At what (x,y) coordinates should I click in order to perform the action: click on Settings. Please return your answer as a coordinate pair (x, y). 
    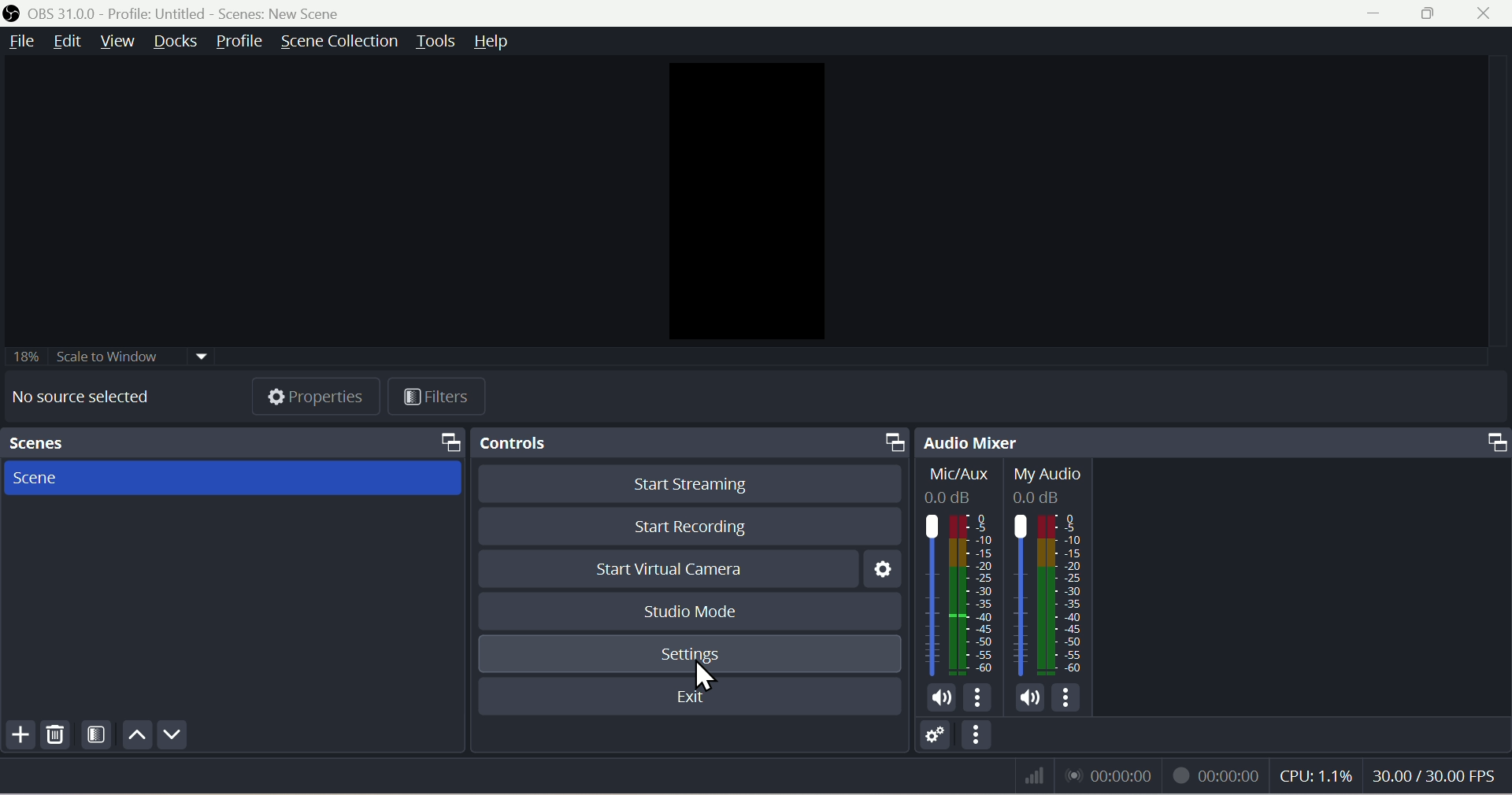
    Looking at the image, I should click on (882, 568).